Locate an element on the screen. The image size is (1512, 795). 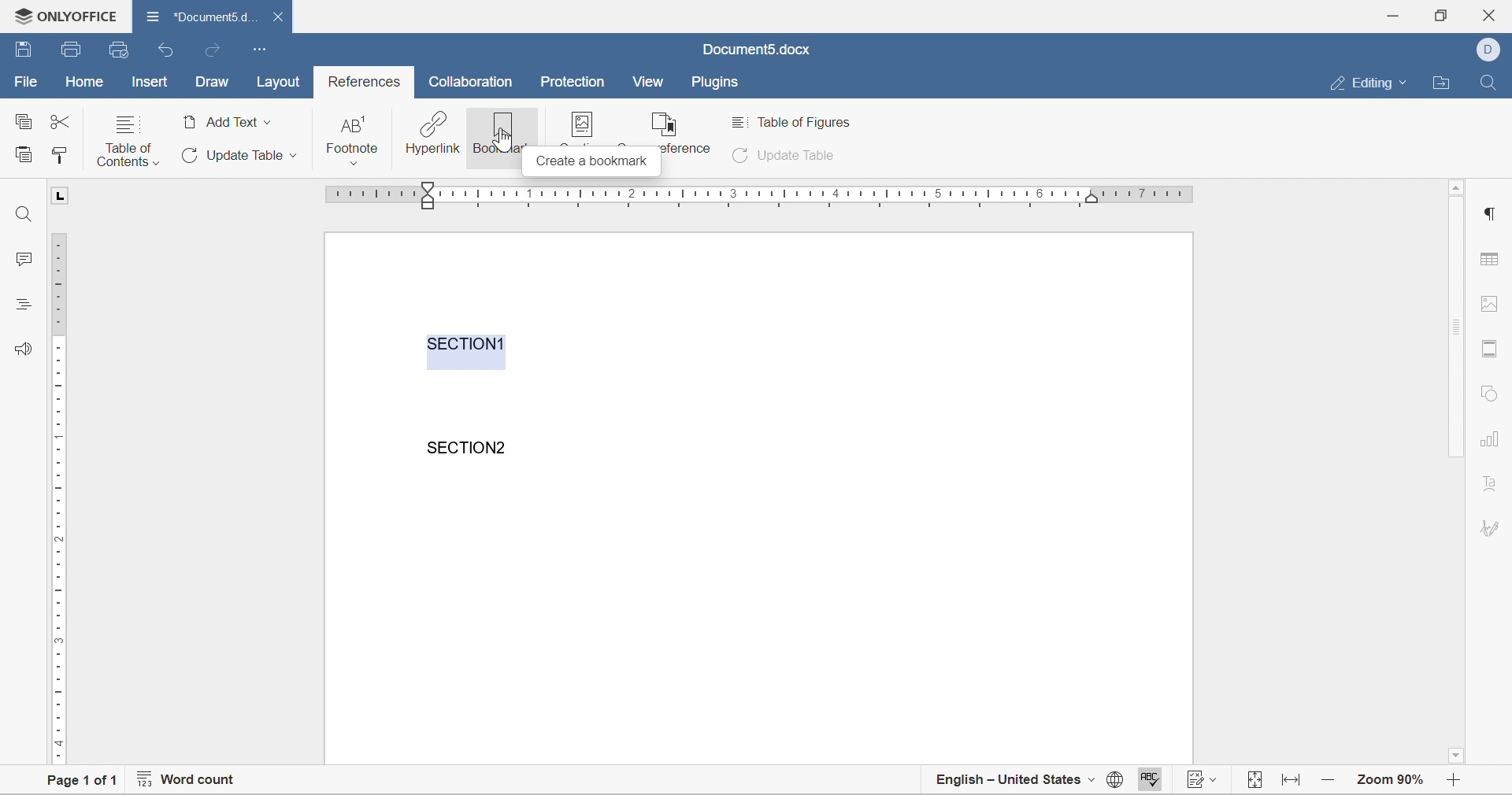
english - united states is located at coordinates (1016, 782).